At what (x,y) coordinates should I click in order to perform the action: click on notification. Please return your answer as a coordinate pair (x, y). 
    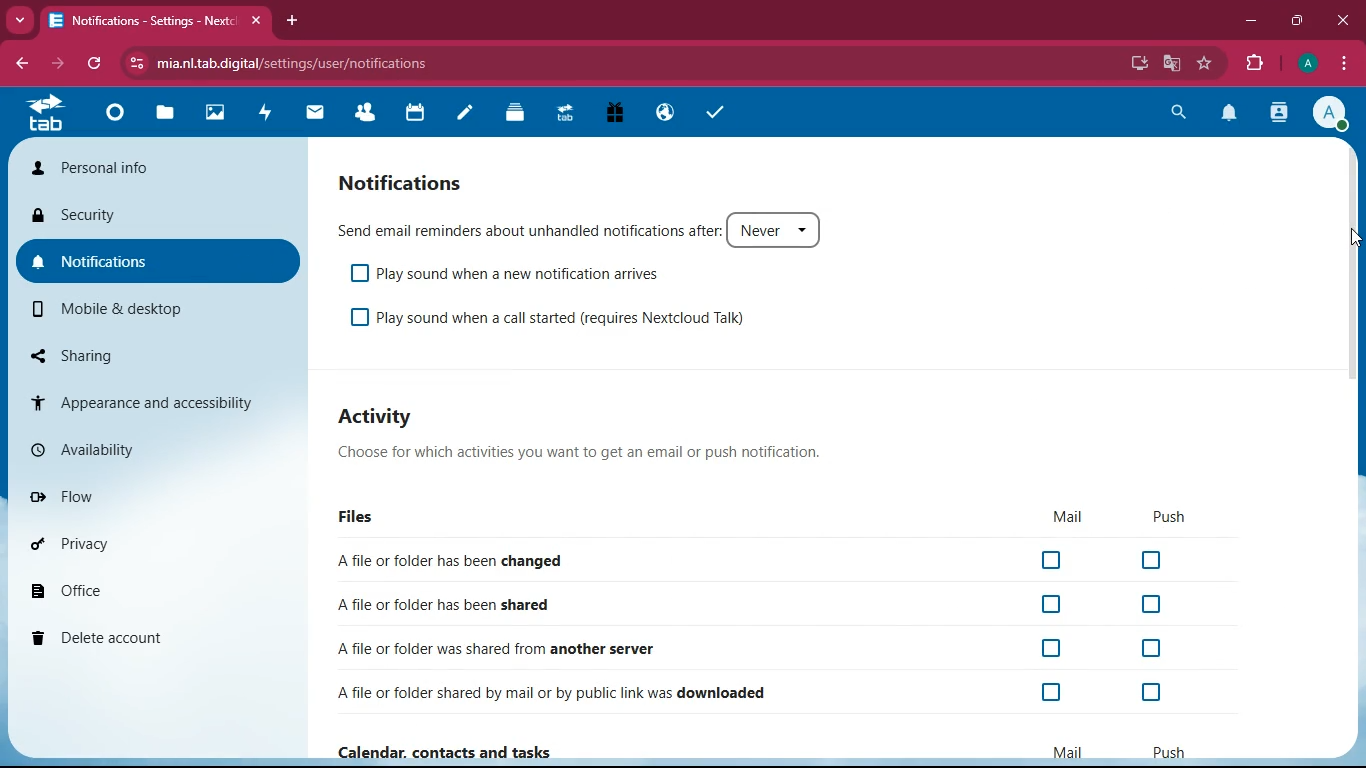
    Looking at the image, I should click on (1230, 114).